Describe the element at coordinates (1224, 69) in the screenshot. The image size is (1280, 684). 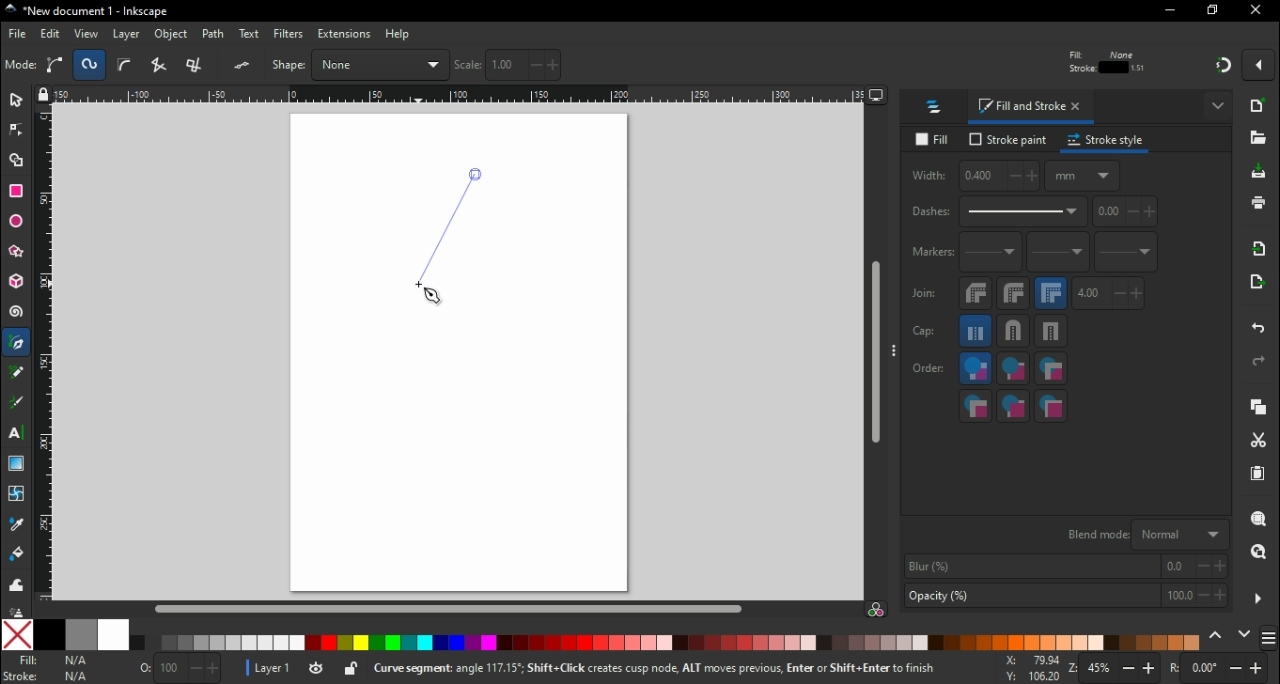
I see `snapping: on/off` at that location.